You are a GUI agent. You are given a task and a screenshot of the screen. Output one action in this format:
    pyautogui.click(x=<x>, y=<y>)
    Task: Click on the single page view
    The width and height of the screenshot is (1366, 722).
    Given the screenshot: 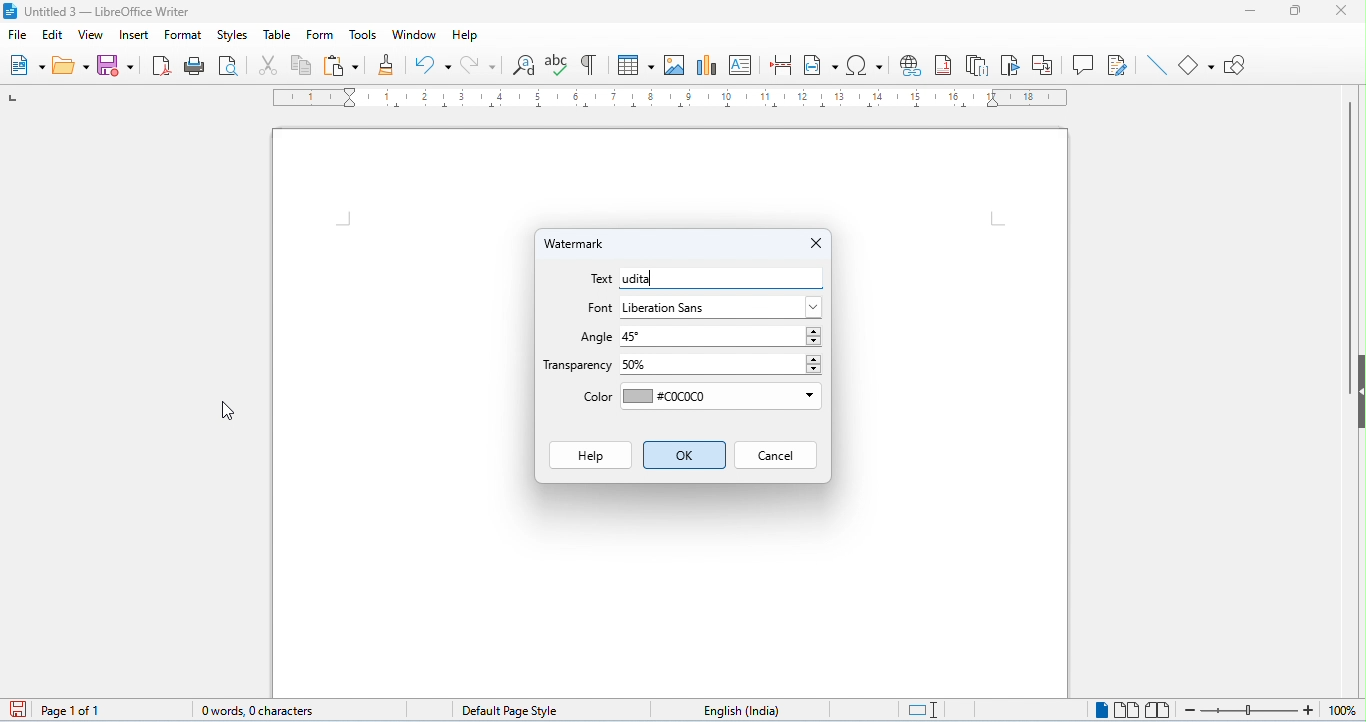 What is the action you would take?
    pyautogui.click(x=1101, y=710)
    